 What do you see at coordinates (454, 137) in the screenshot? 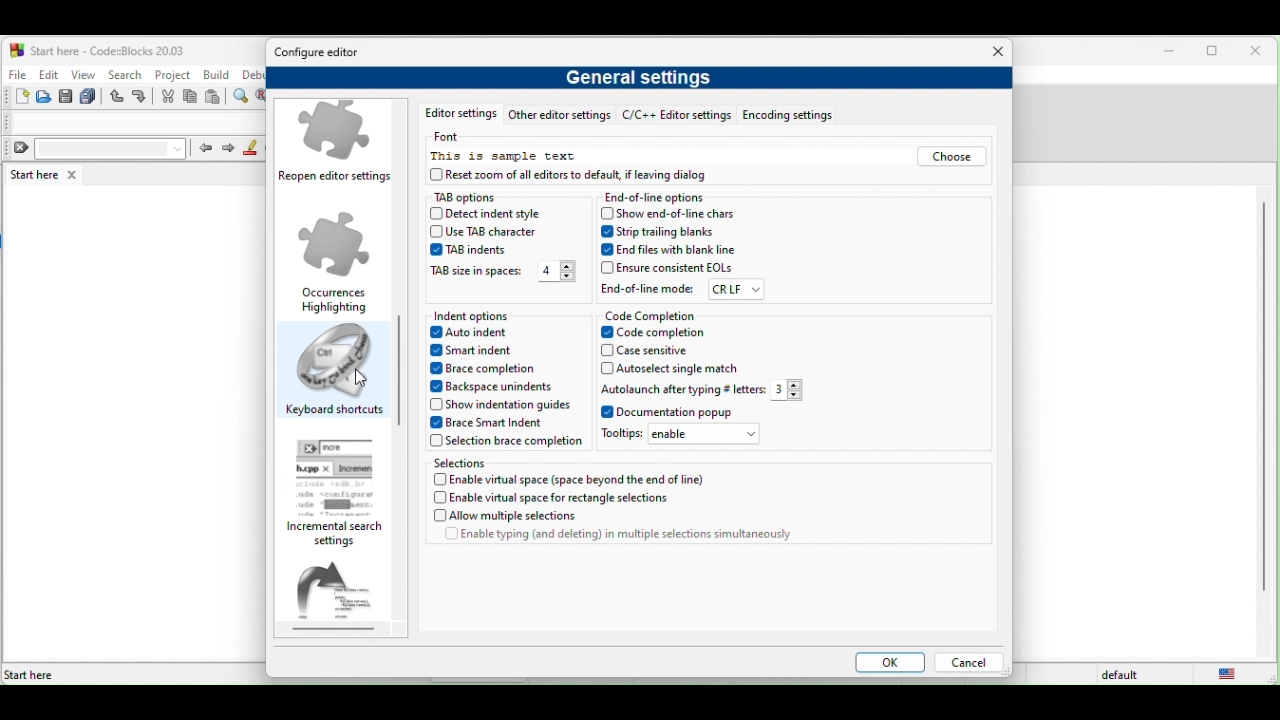
I see `font` at bounding box center [454, 137].